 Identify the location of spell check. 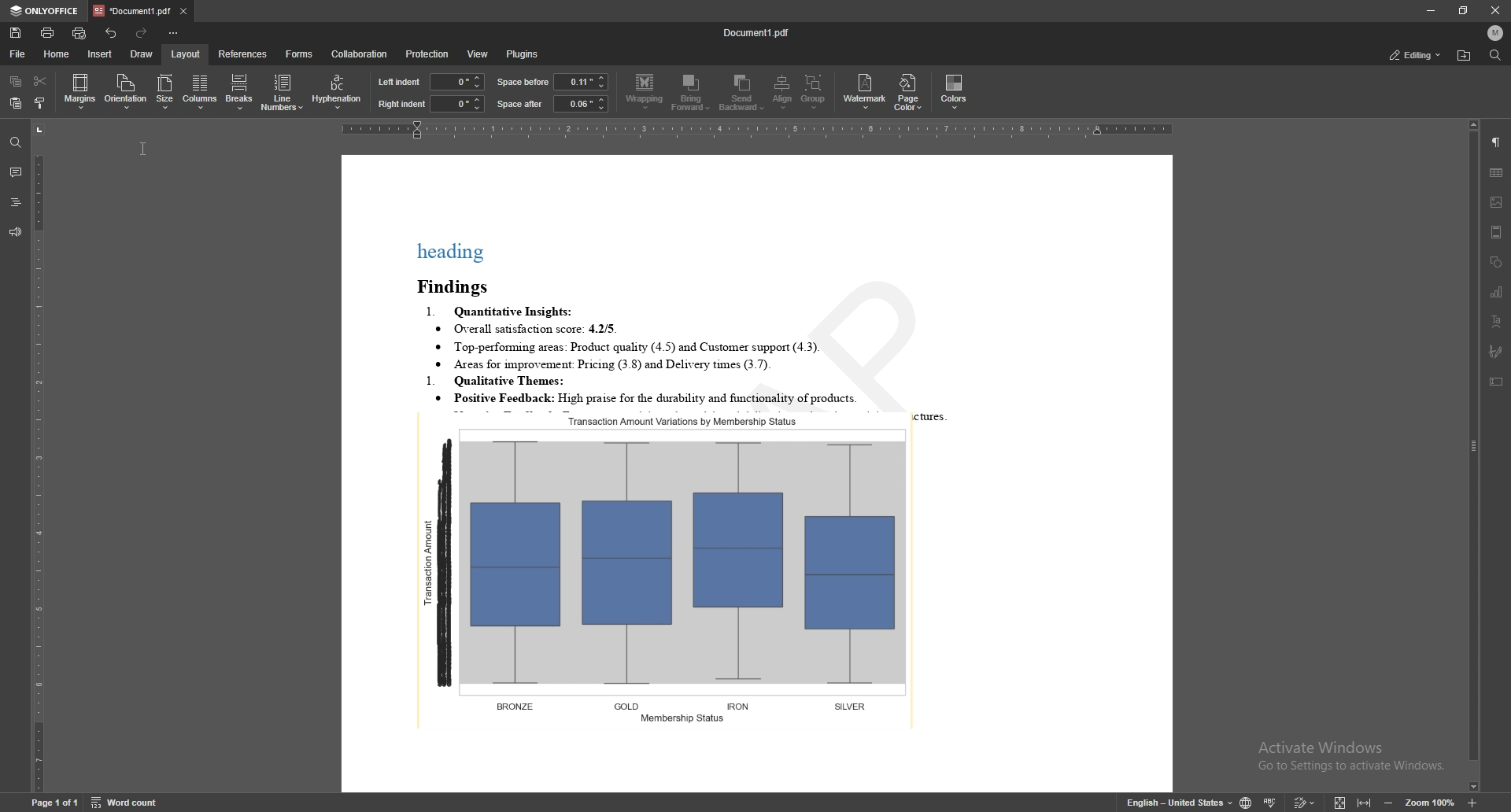
(1270, 801).